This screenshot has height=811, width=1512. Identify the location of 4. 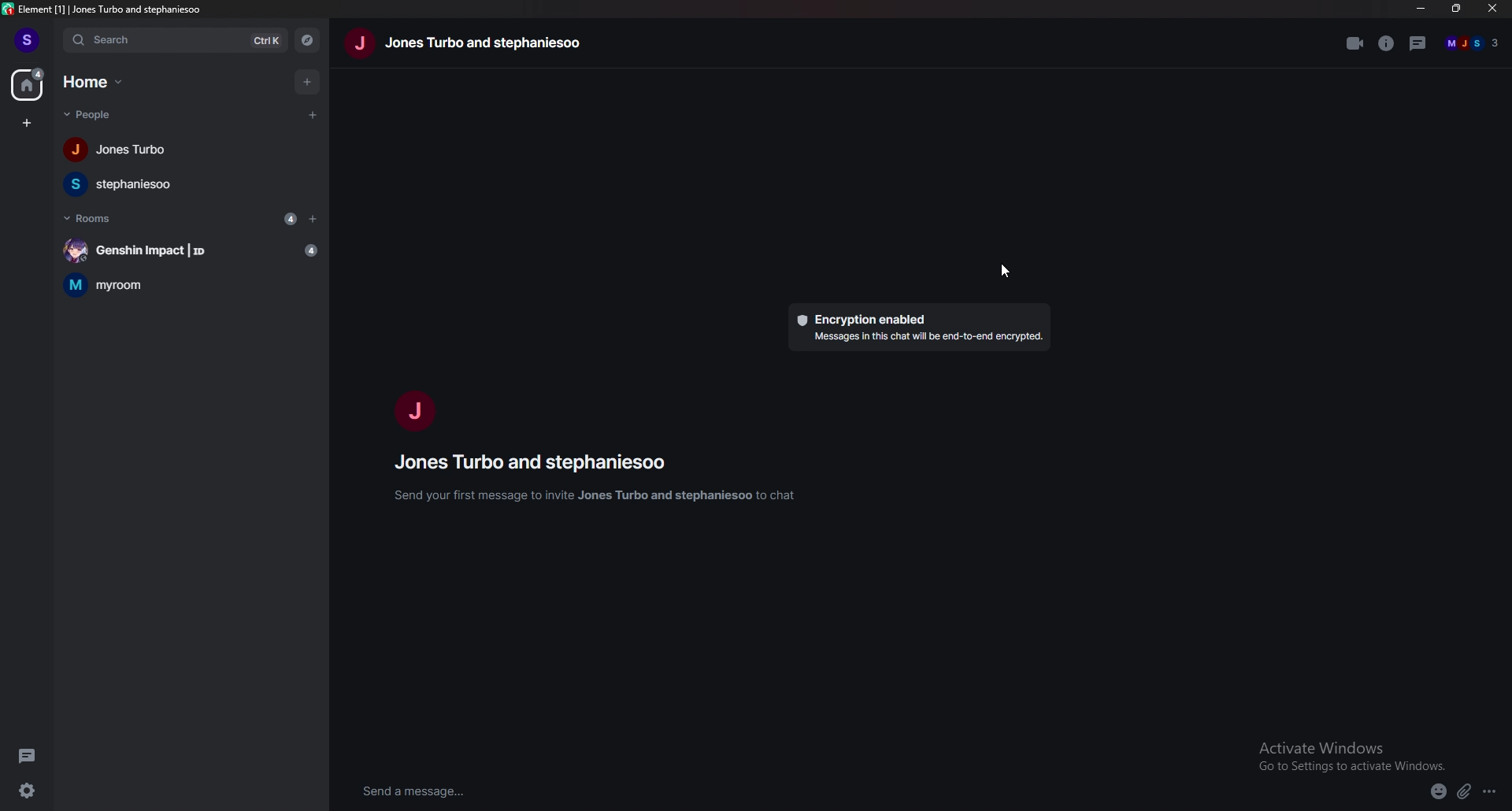
(290, 219).